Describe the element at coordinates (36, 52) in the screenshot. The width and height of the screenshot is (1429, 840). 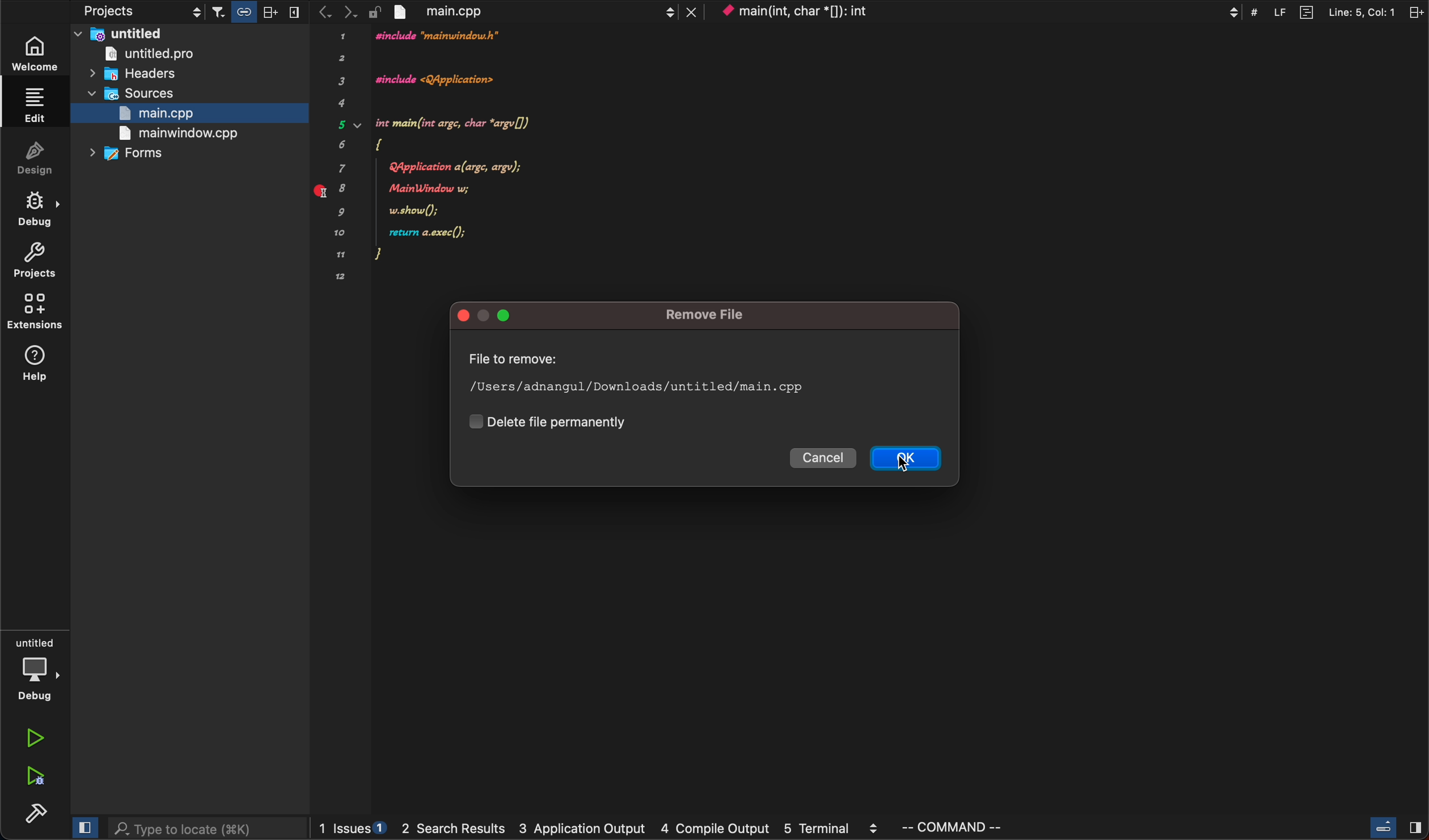
I see `welcome` at that location.